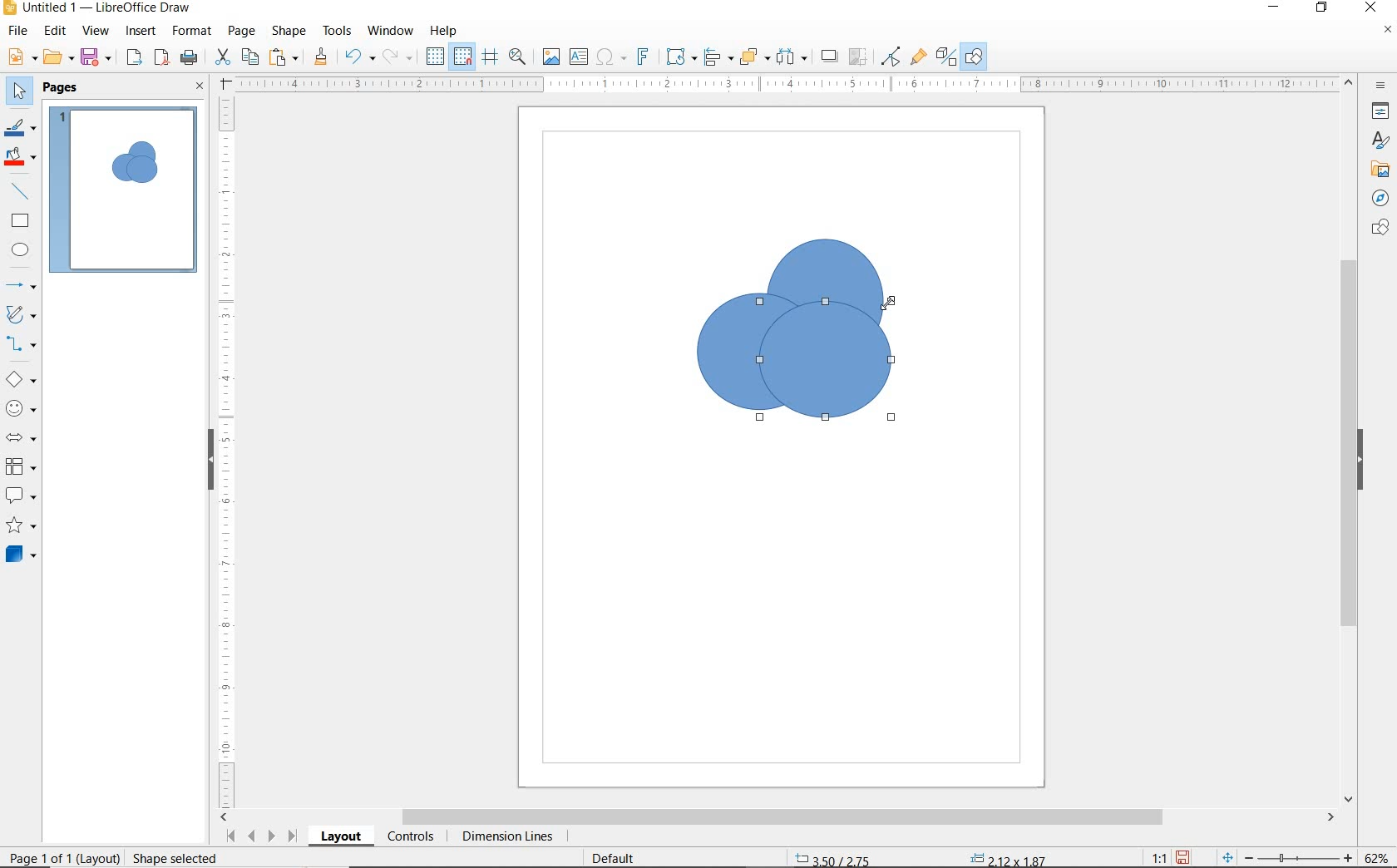  What do you see at coordinates (1276, 8) in the screenshot?
I see `MINIMIZE` at bounding box center [1276, 8].